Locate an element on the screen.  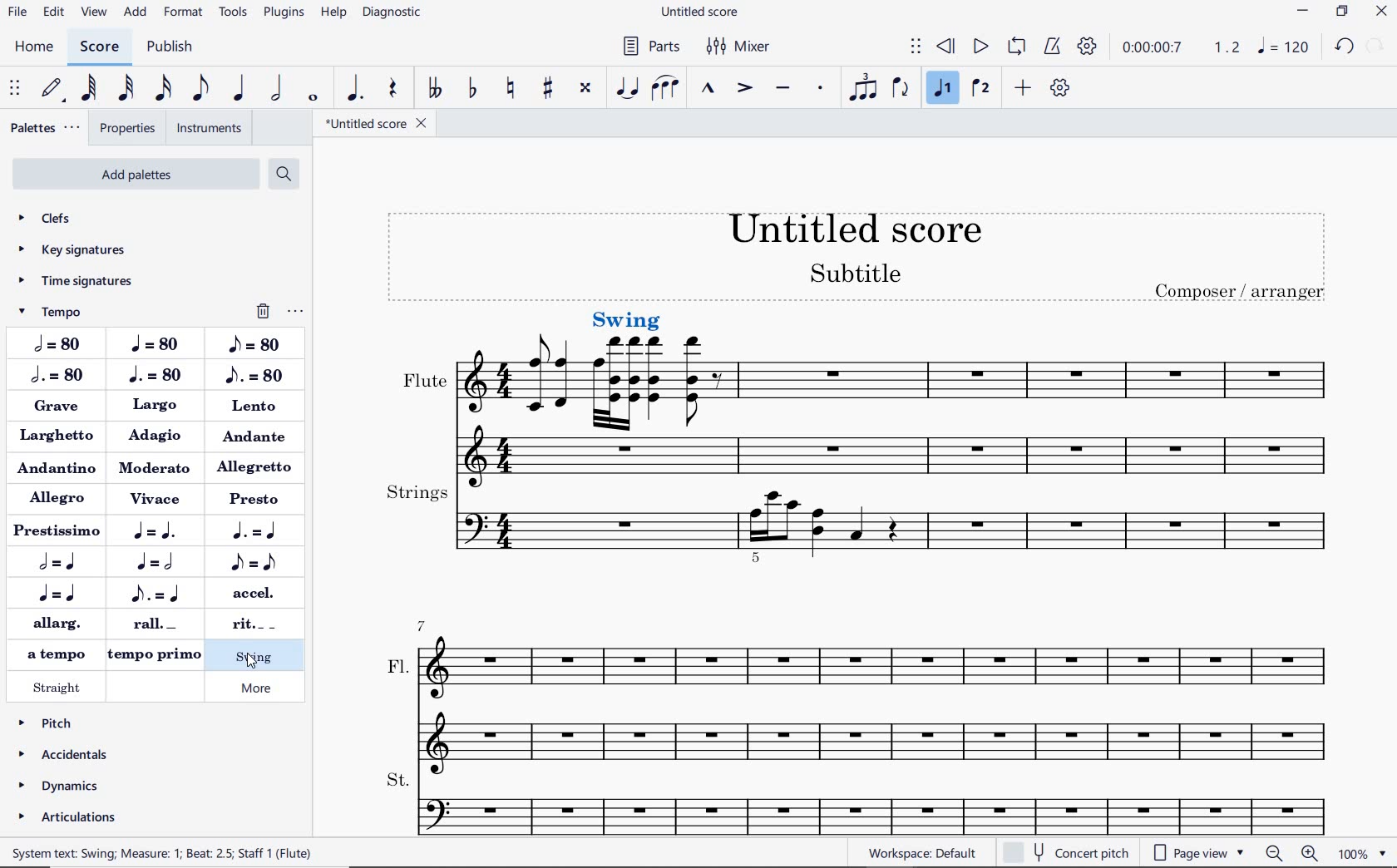
16TH NOTE is located at coordinates (164, 91).